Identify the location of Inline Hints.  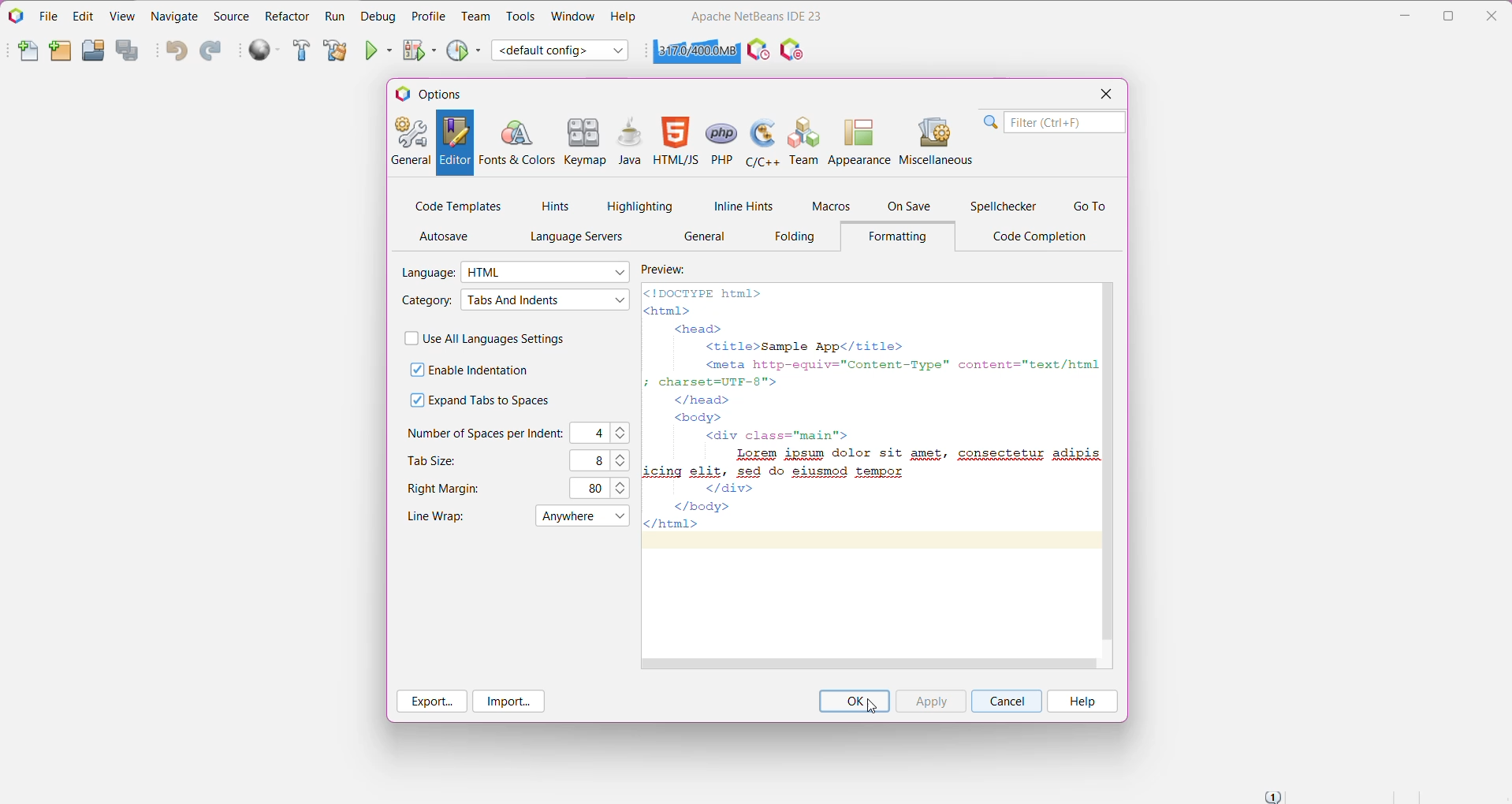
(741, 206).